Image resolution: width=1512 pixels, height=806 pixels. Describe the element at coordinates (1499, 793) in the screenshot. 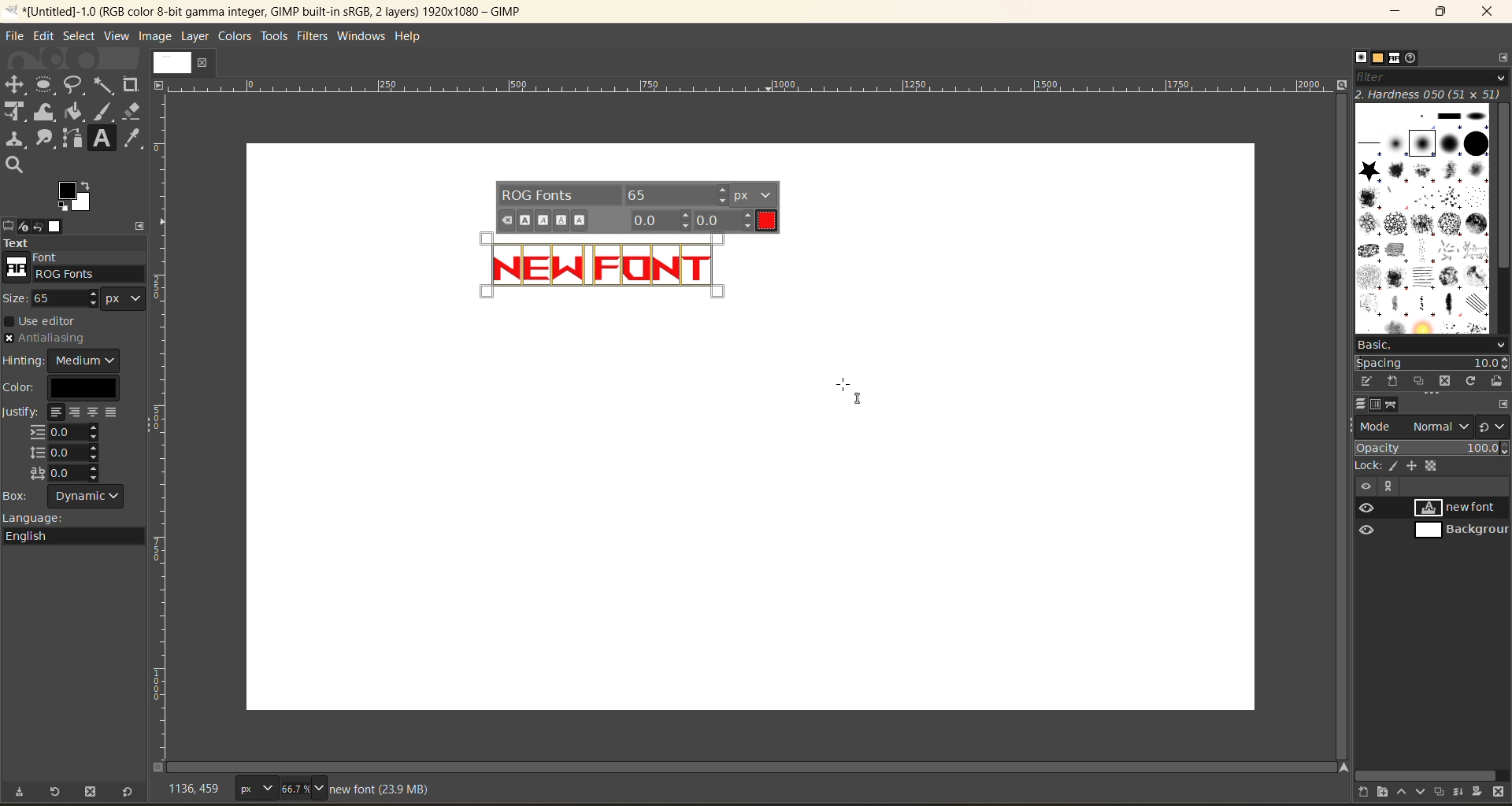

I see `delete this layer` at that location.